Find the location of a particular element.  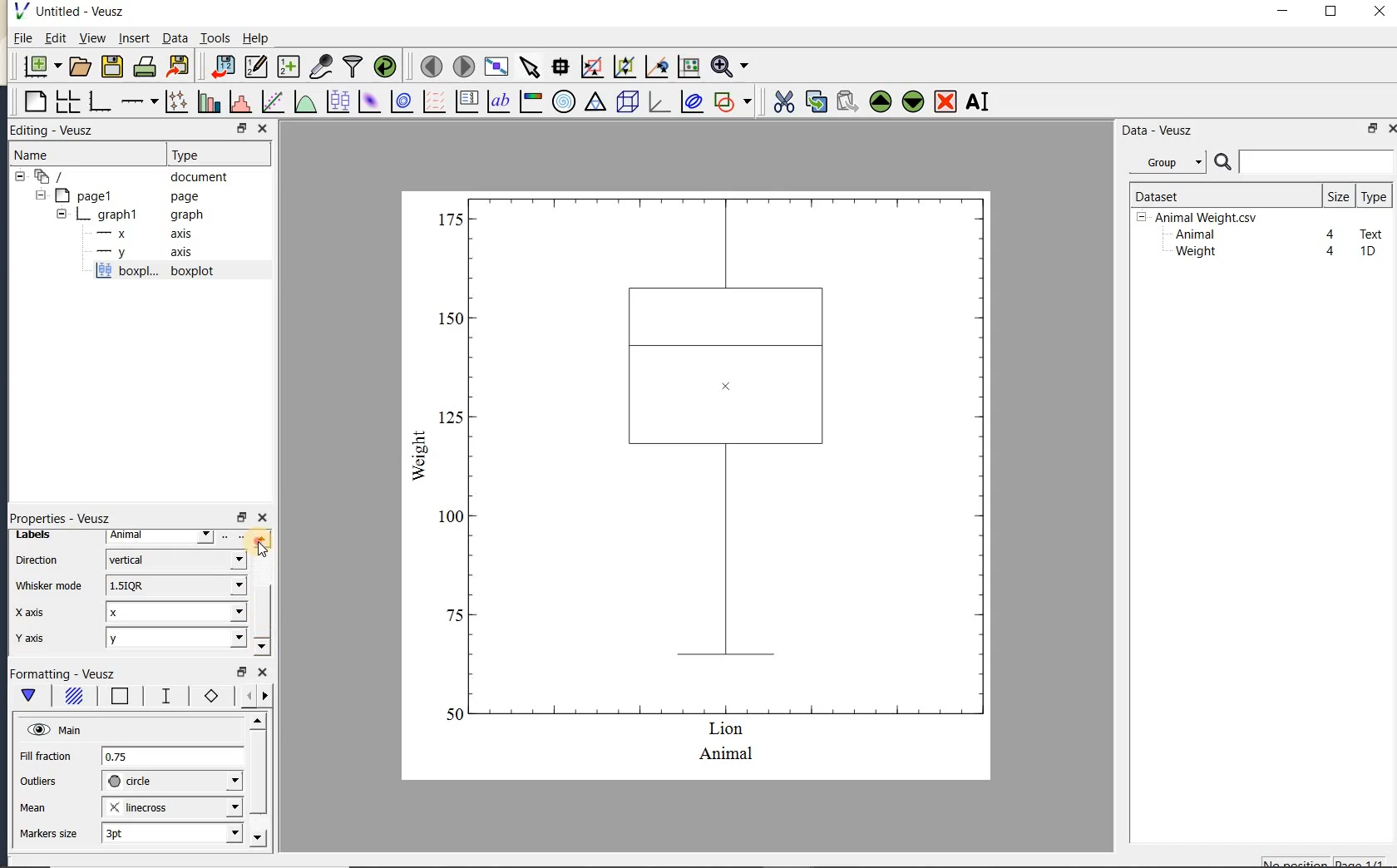

close is located at coordinates (263, 673).